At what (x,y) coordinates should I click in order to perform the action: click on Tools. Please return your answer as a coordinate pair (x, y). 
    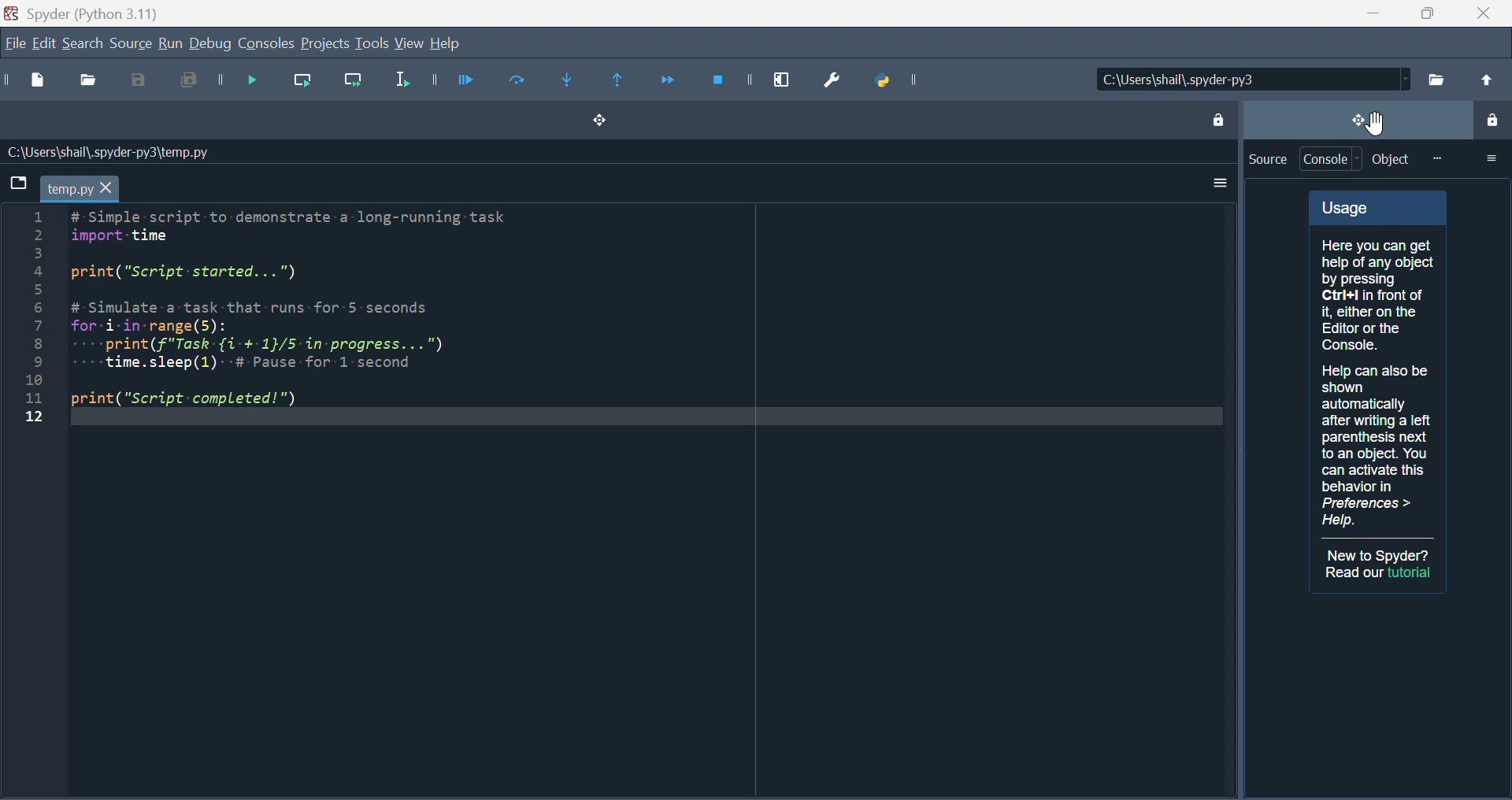
    Looking at the image, I should click on (371, 43).